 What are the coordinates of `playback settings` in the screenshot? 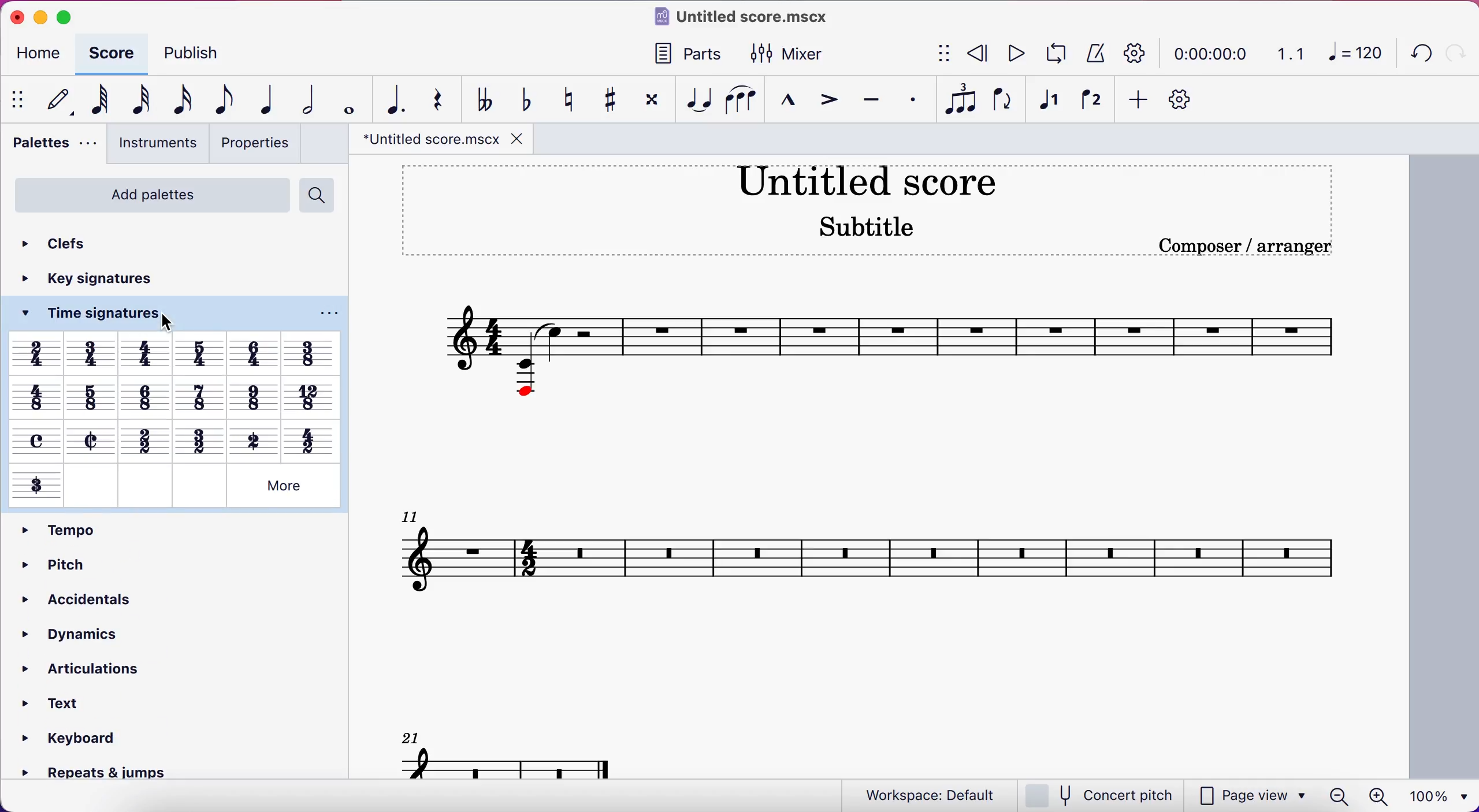 It's located at (1136, 53).